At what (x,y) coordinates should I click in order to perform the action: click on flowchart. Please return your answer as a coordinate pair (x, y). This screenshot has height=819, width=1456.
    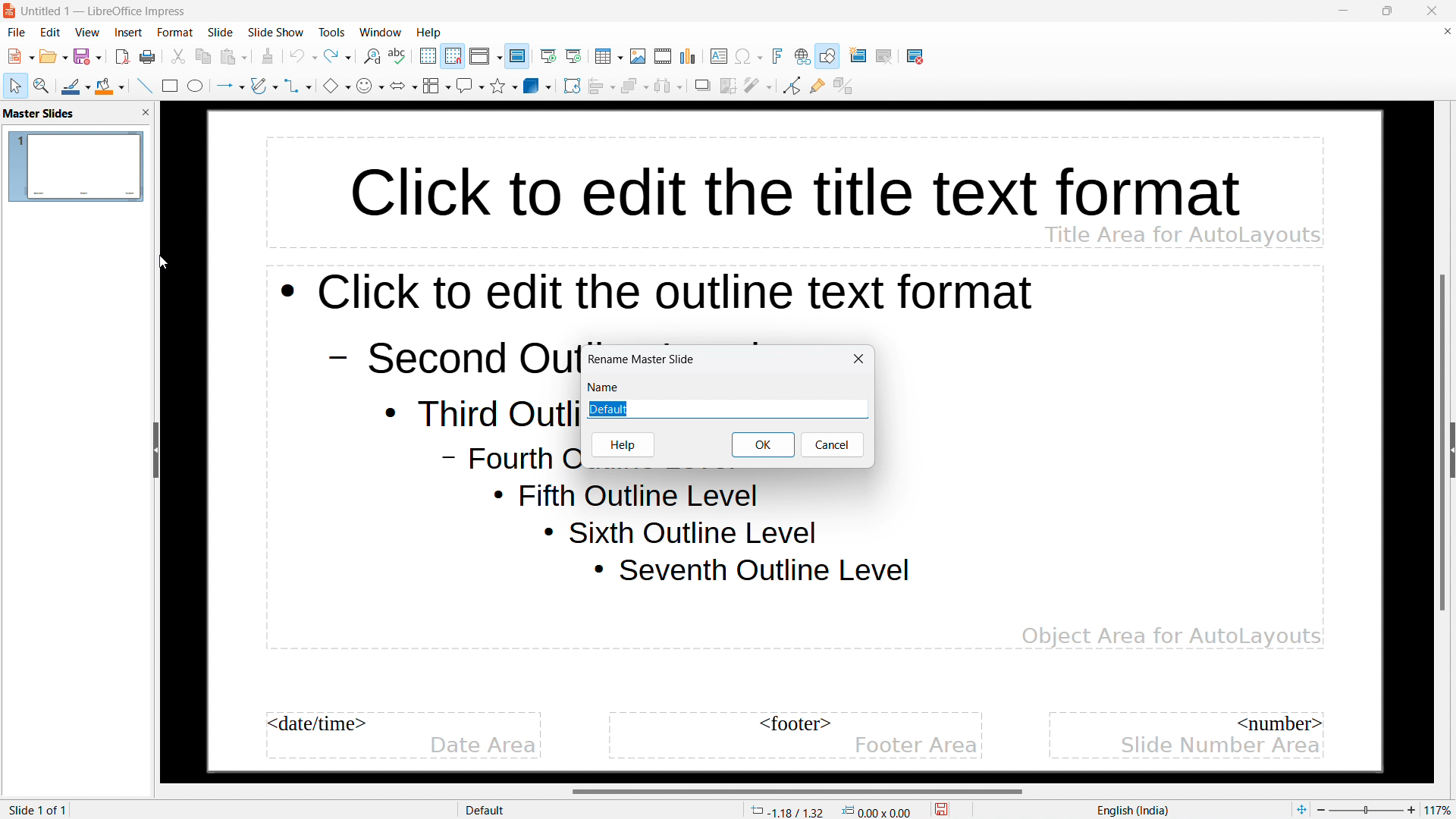
    Looking at the image, I should click on (437, 86).